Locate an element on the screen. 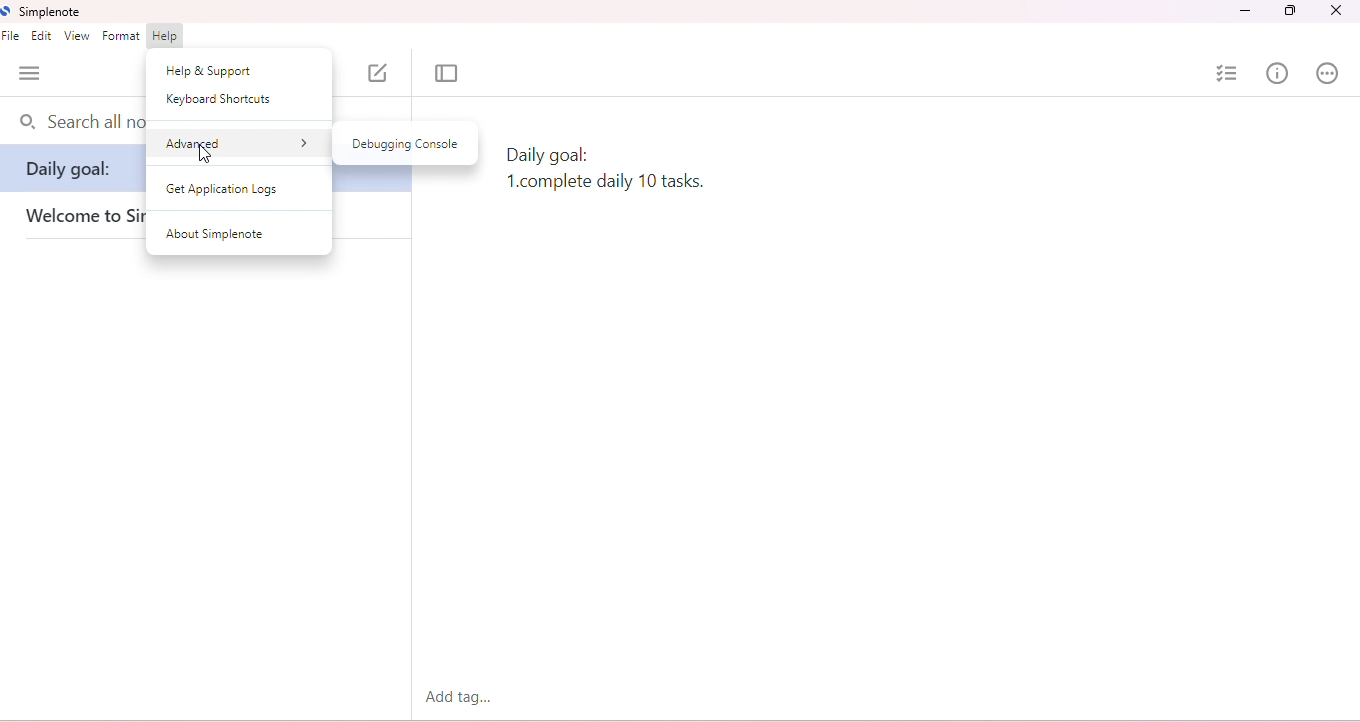 The height and width of the screenshot is (722, 1360). file is located at coordinates (13, 37).